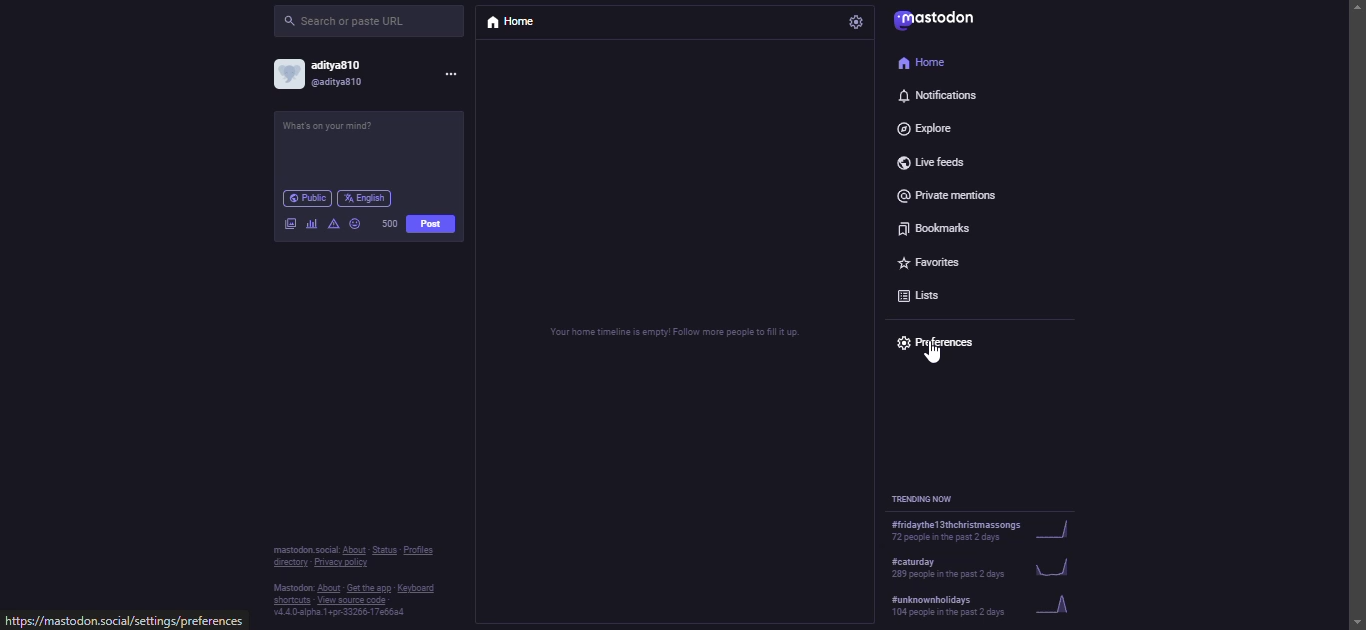 The height and width of the screenshot is (630, 1366). I want to click on favorites, so click(931, 258).